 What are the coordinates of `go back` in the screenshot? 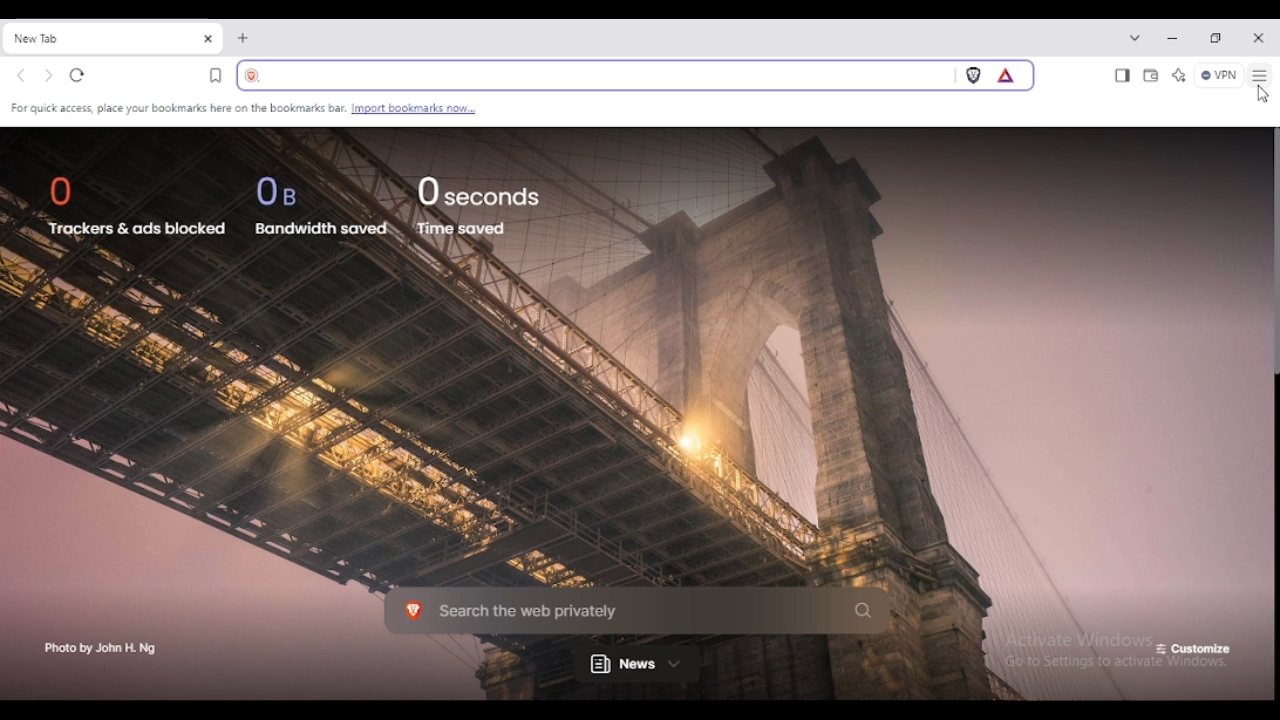 It's located at (22, 77).